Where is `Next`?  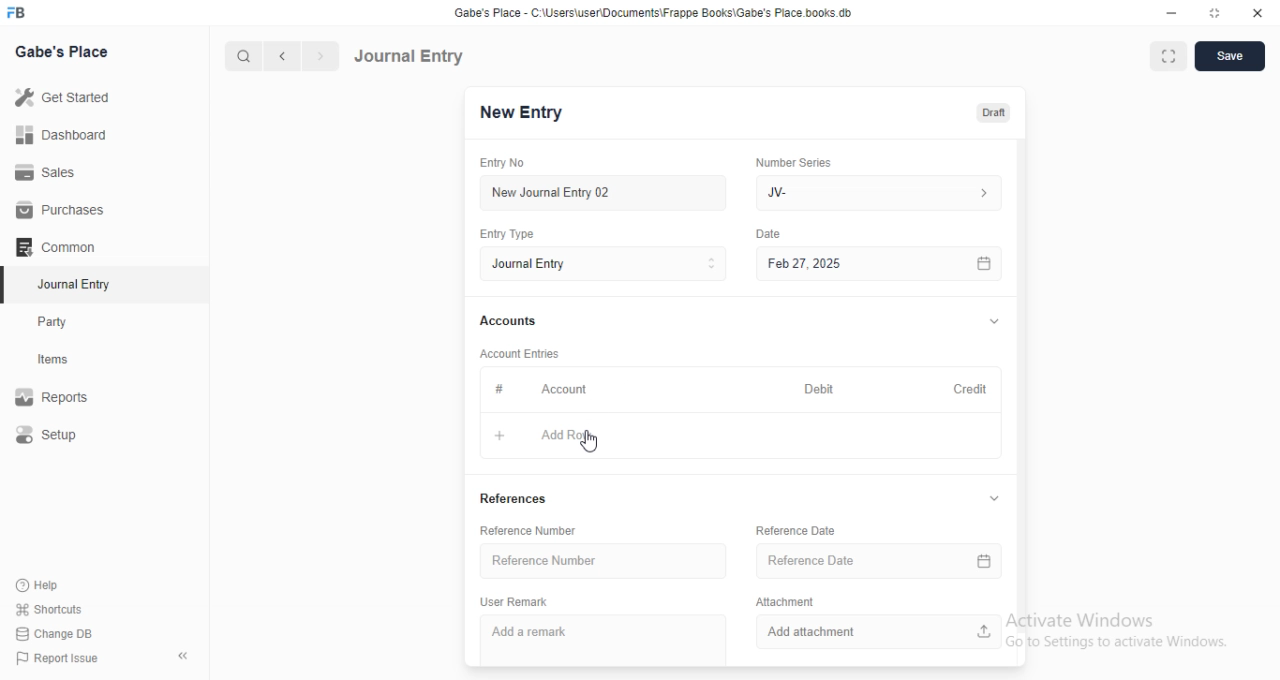 Next is located at coordinates (319, 56).